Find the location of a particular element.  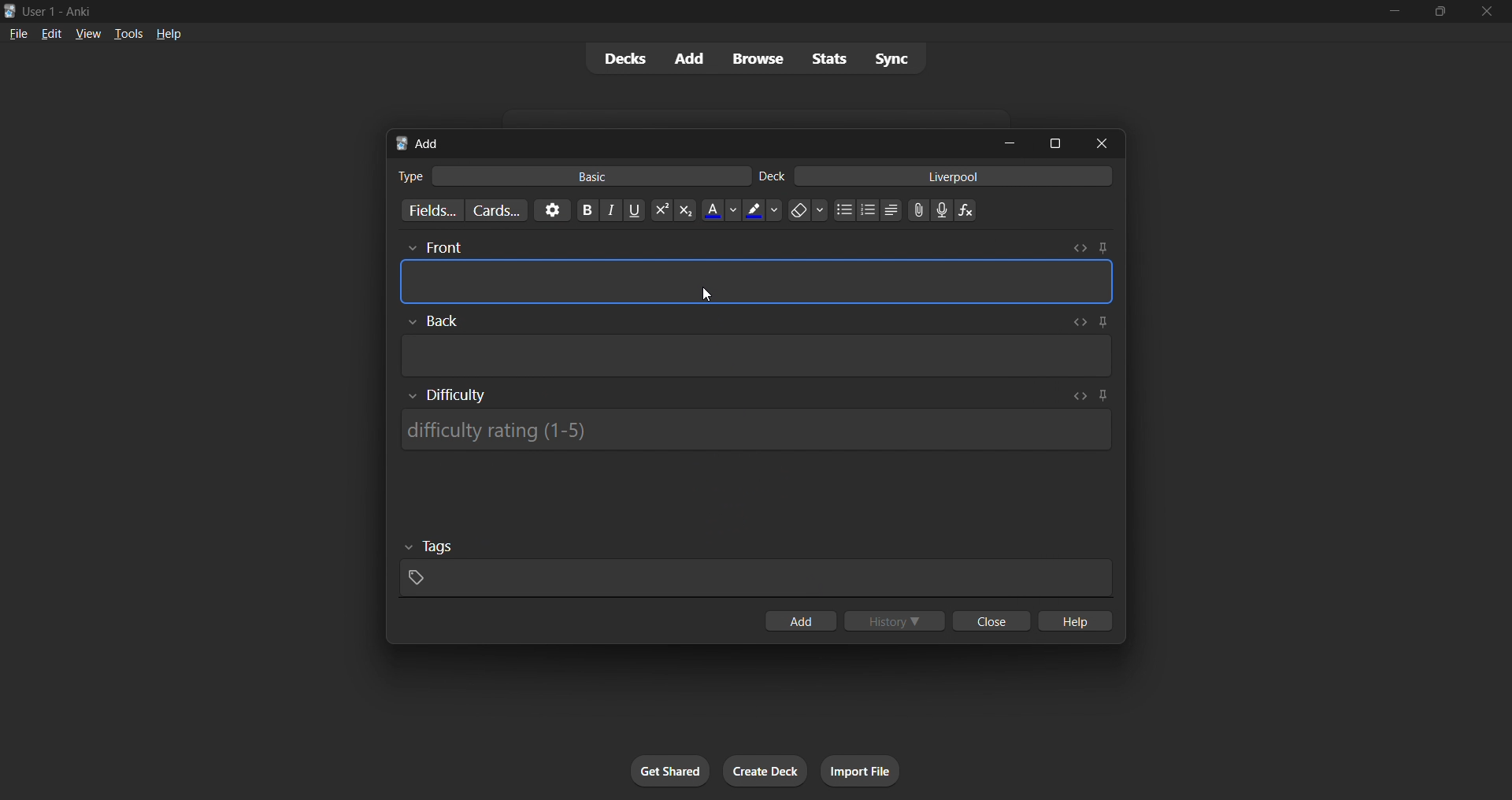

view is located at coordinates (88, 33).